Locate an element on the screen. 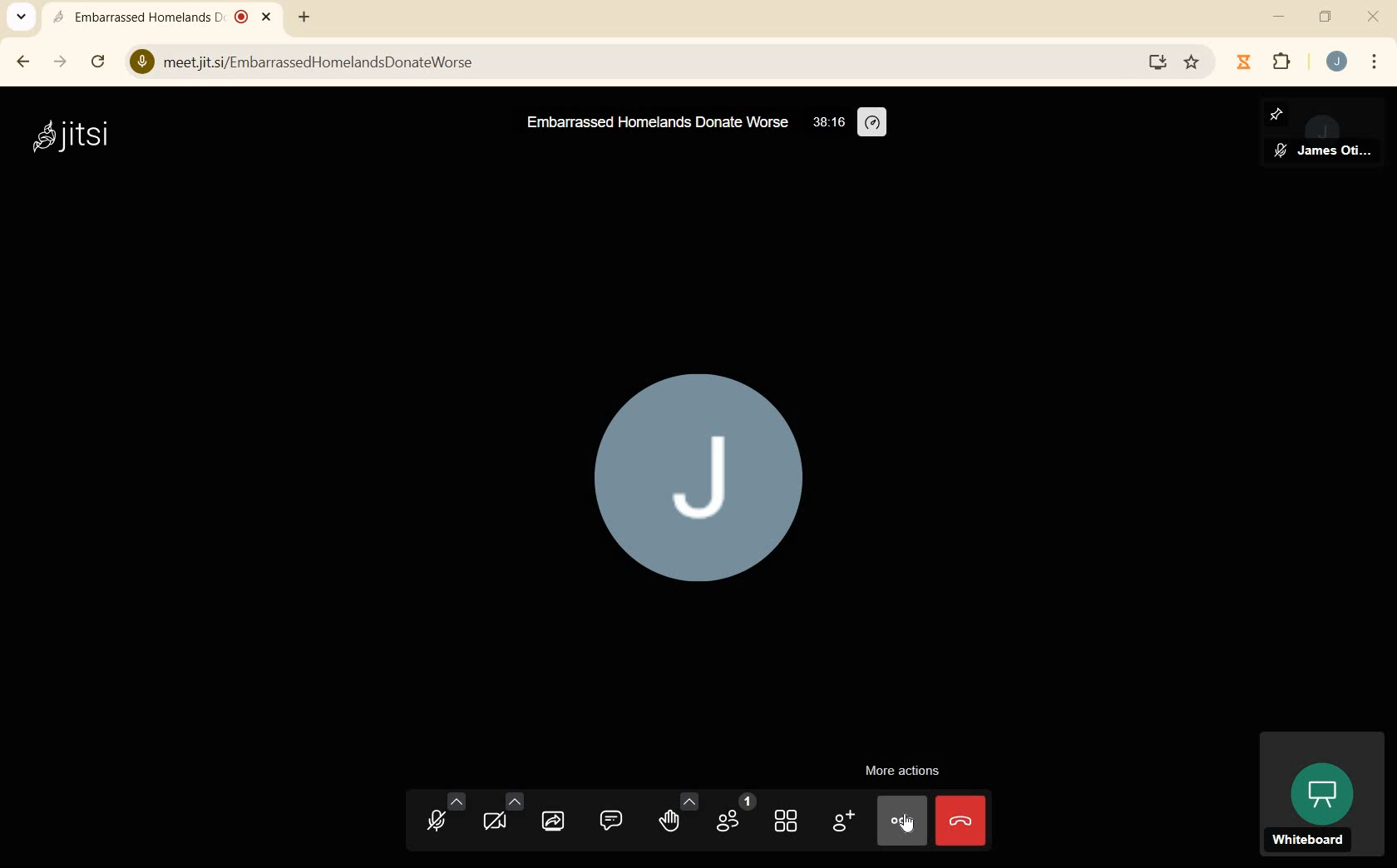 The width and height of the screenshot is (1397, 868). performance settings is located at coordinates (873, 123).